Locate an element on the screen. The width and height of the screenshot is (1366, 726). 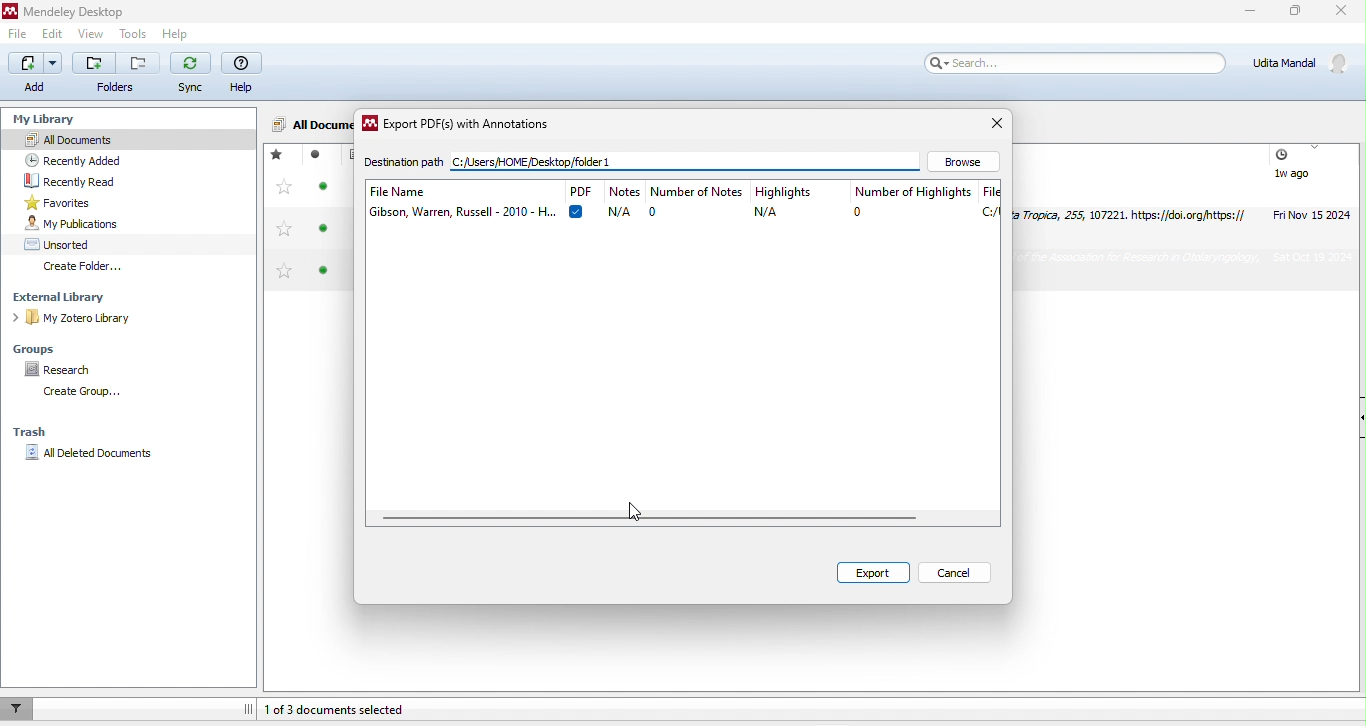
create folder is located at coordinates (88, 267).